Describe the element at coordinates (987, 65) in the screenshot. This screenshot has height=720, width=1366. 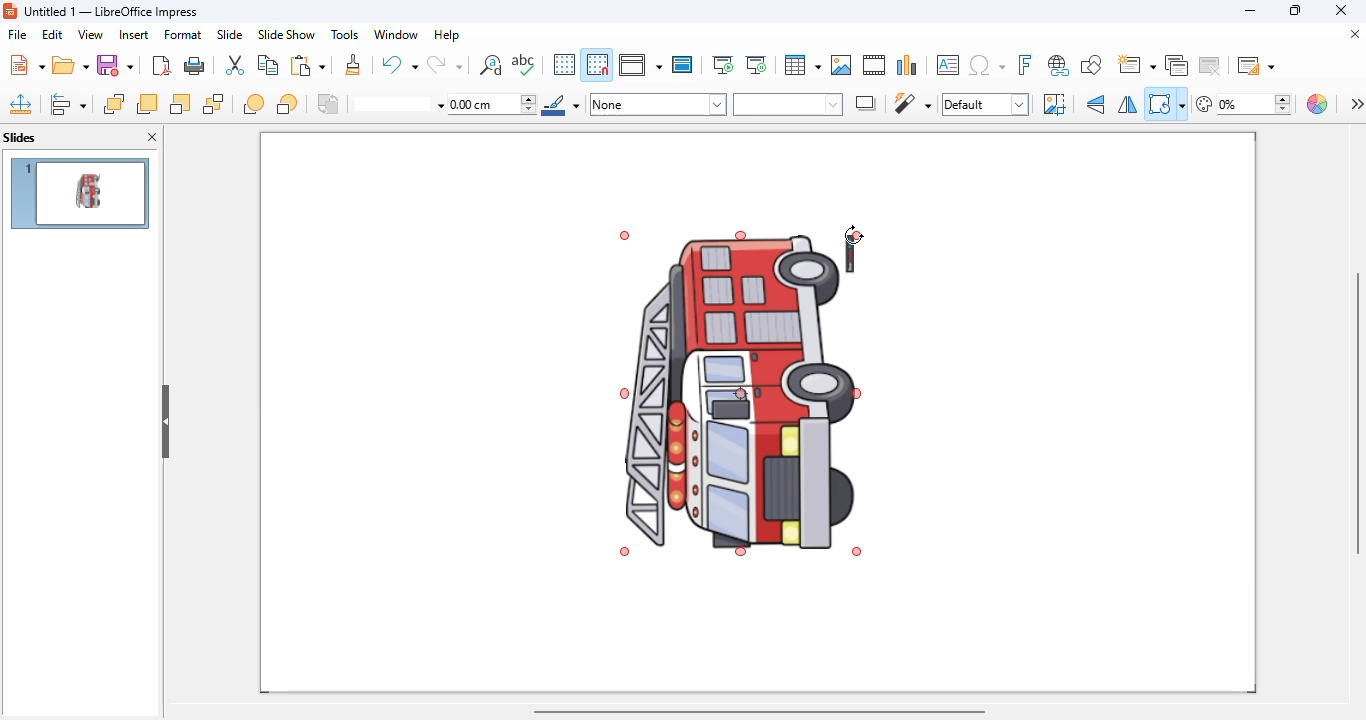
I see `insert special characters` at that location.